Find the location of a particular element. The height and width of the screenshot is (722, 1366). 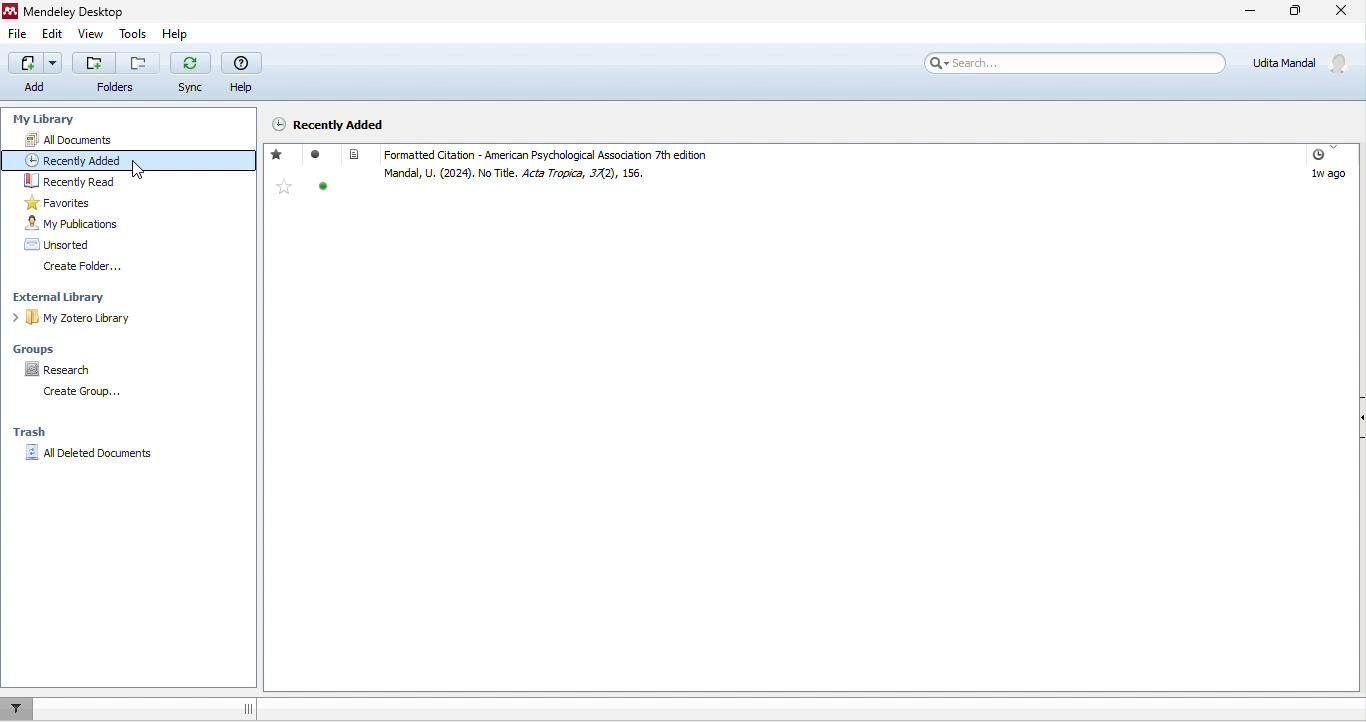

minimize is located at coordinates (1236, 15).